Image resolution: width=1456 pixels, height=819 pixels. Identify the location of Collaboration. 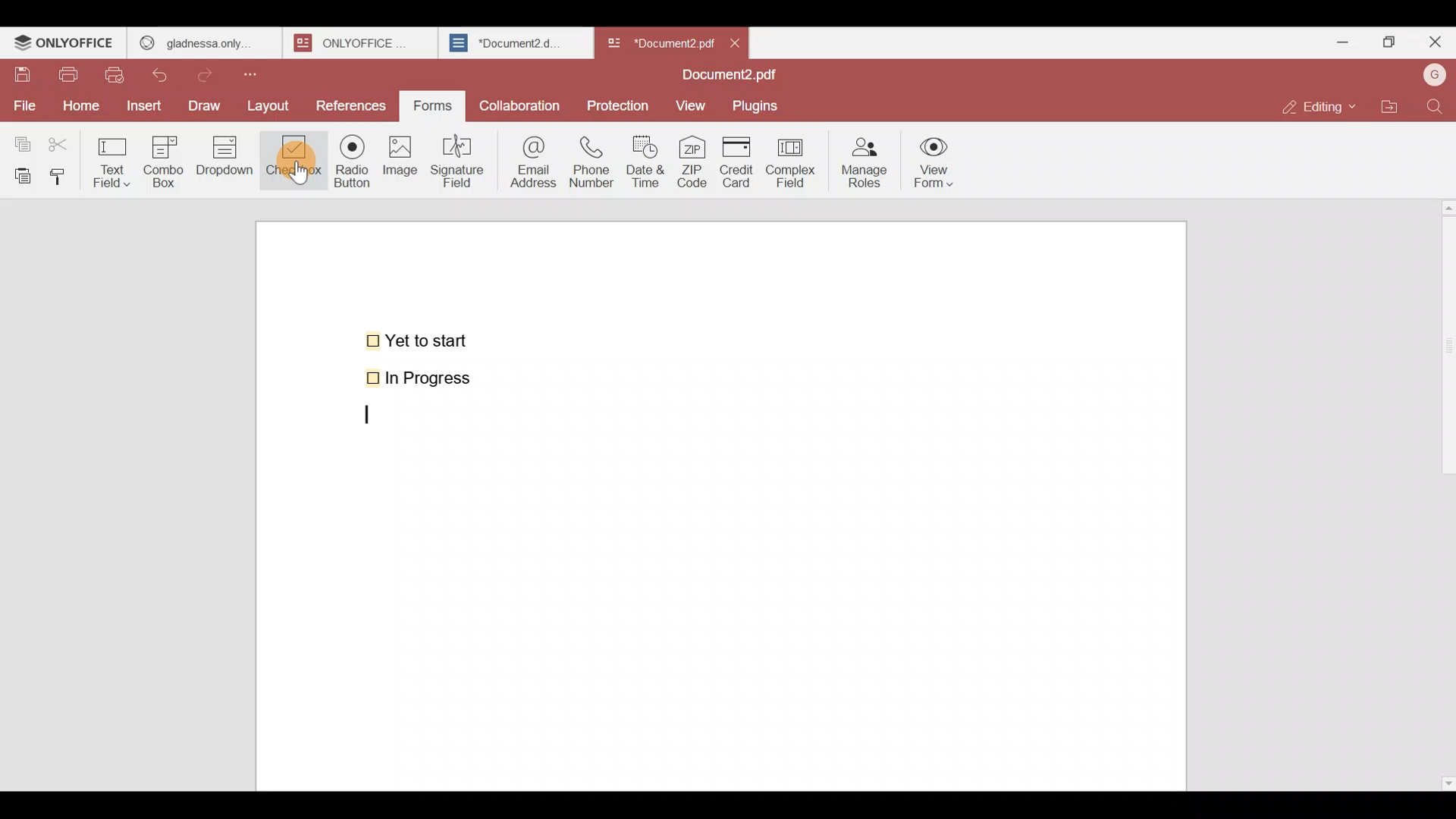
(521, 102).